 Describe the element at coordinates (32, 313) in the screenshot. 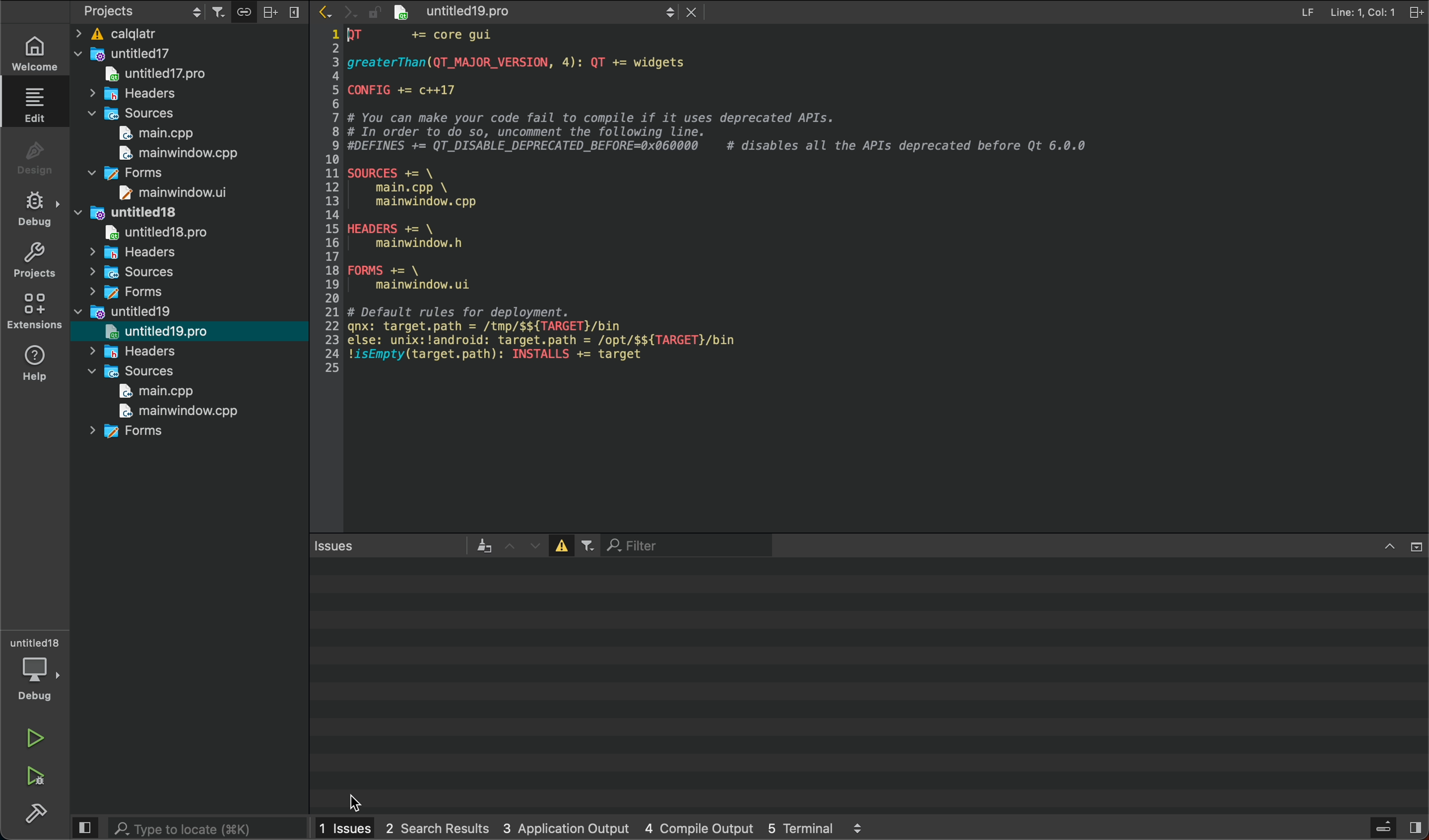

I see `extensions` at that location.